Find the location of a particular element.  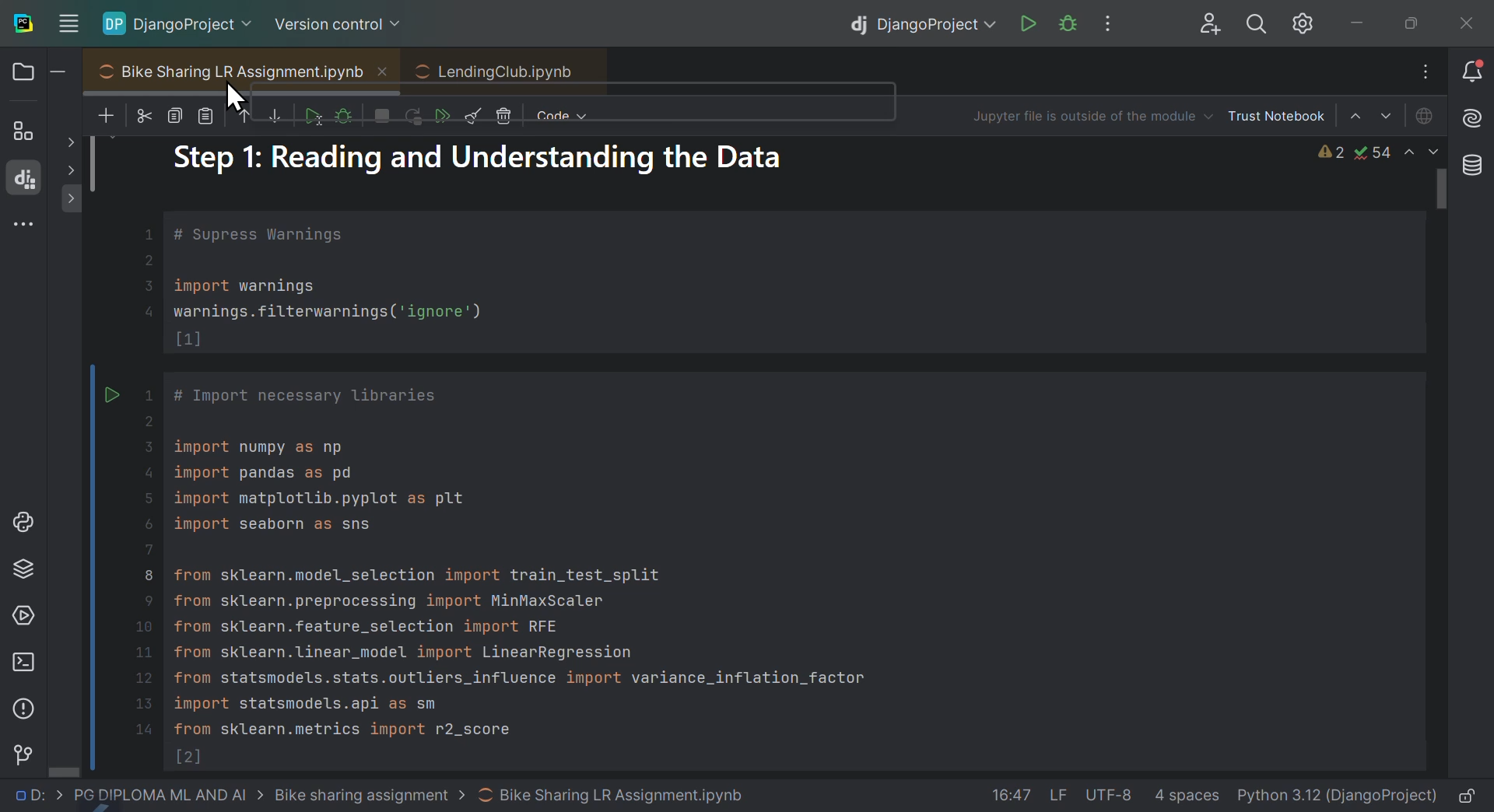

Files and folders is located at coordinates (38, 72).